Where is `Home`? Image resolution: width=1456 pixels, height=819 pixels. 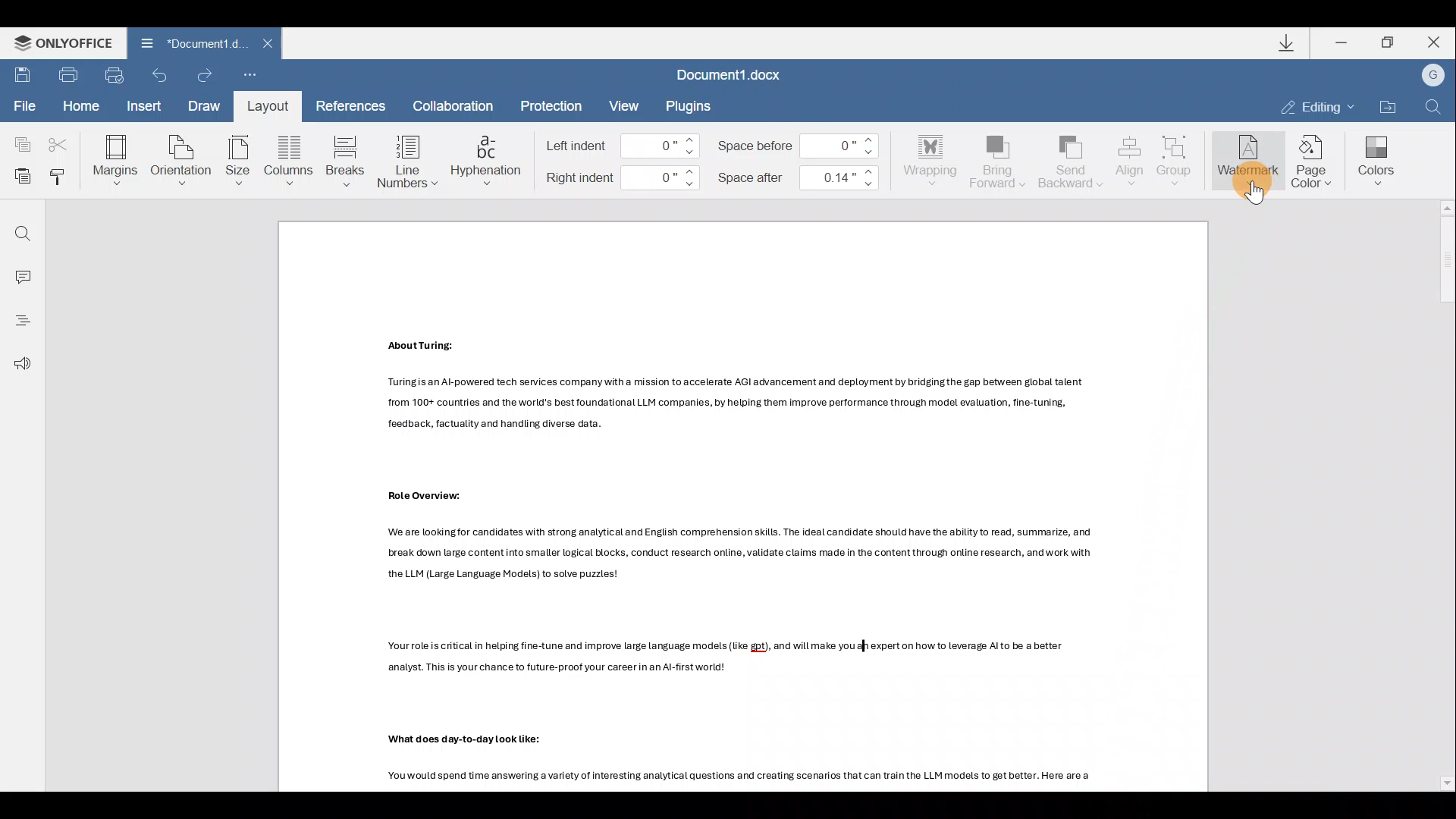
Home is located at coordinates (86, 106).